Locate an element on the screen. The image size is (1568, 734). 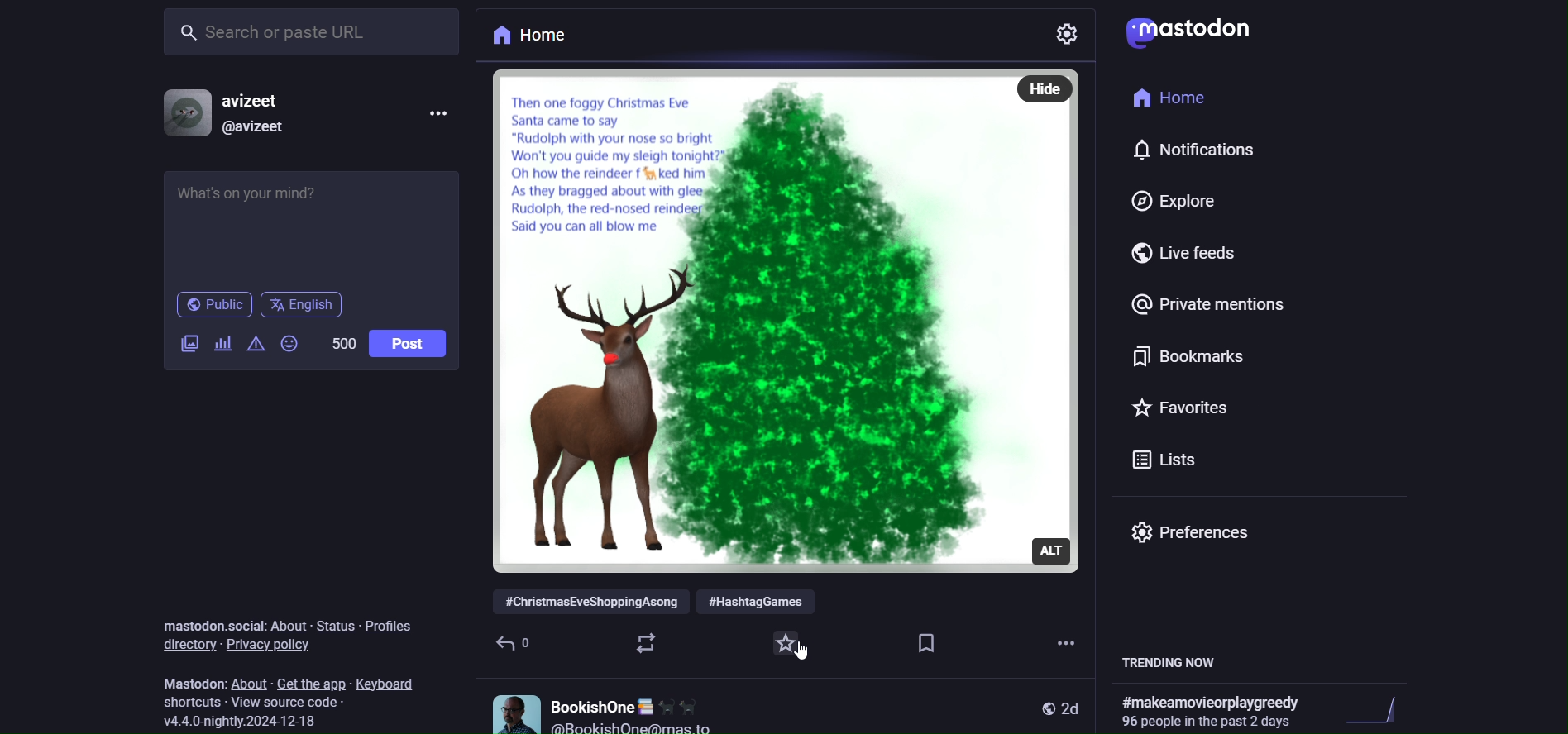
trending now is located at coordinates (1178, 663).